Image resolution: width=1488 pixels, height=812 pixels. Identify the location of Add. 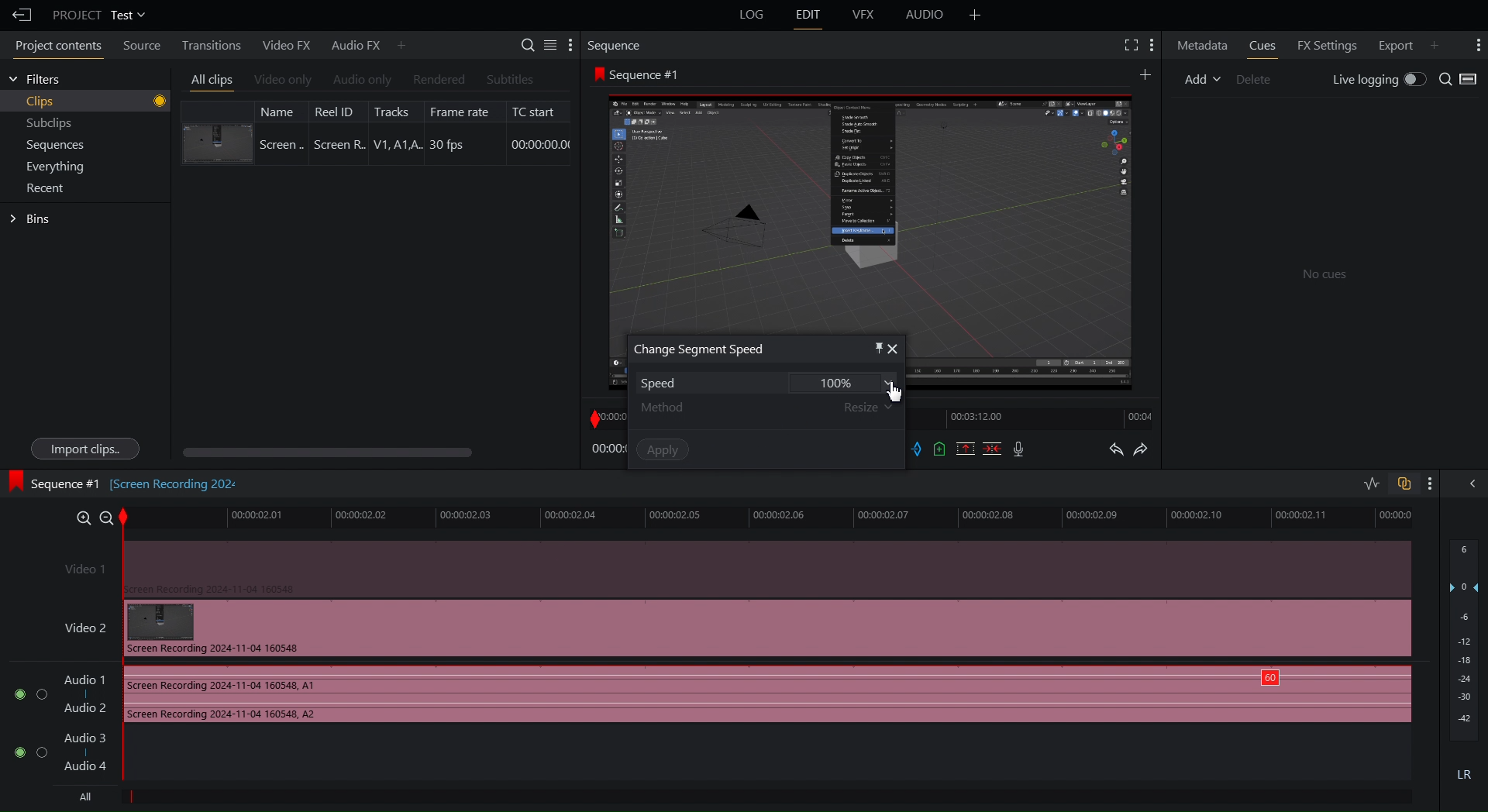
(1144, 74).